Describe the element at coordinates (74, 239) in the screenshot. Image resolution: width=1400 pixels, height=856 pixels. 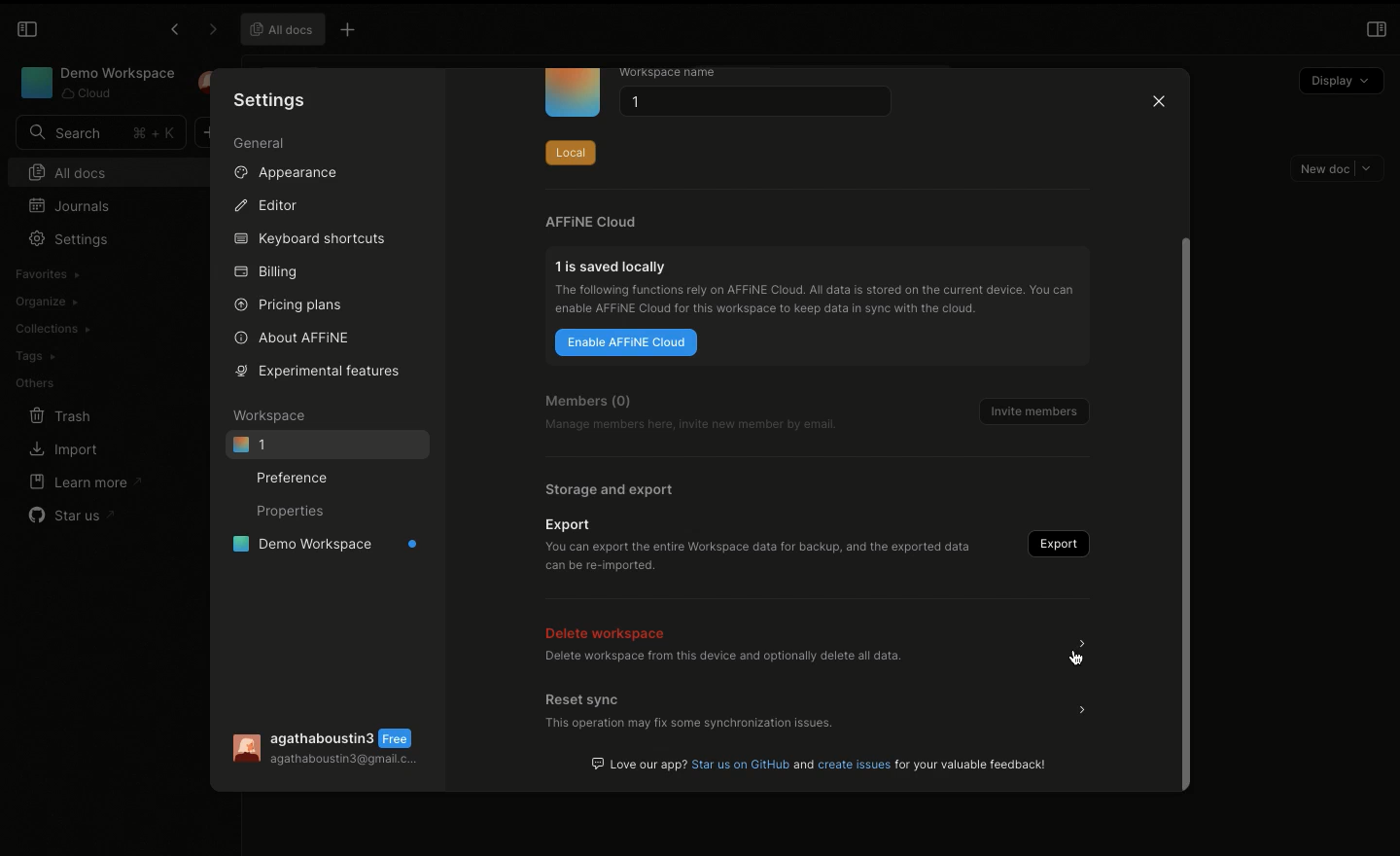
I see `Settings` at that location.